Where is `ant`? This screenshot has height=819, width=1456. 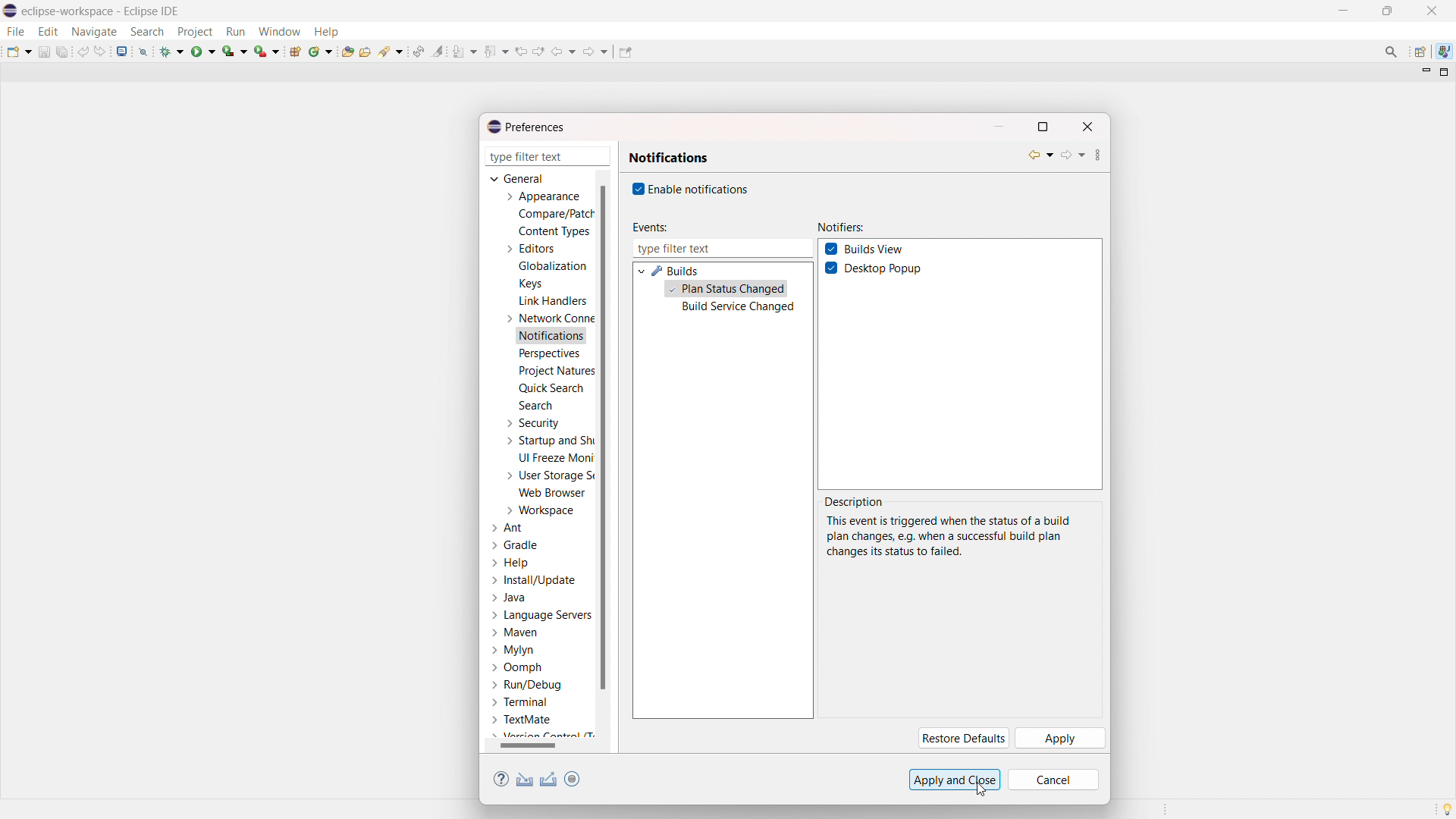
ant is located at coordinates (509, 529).